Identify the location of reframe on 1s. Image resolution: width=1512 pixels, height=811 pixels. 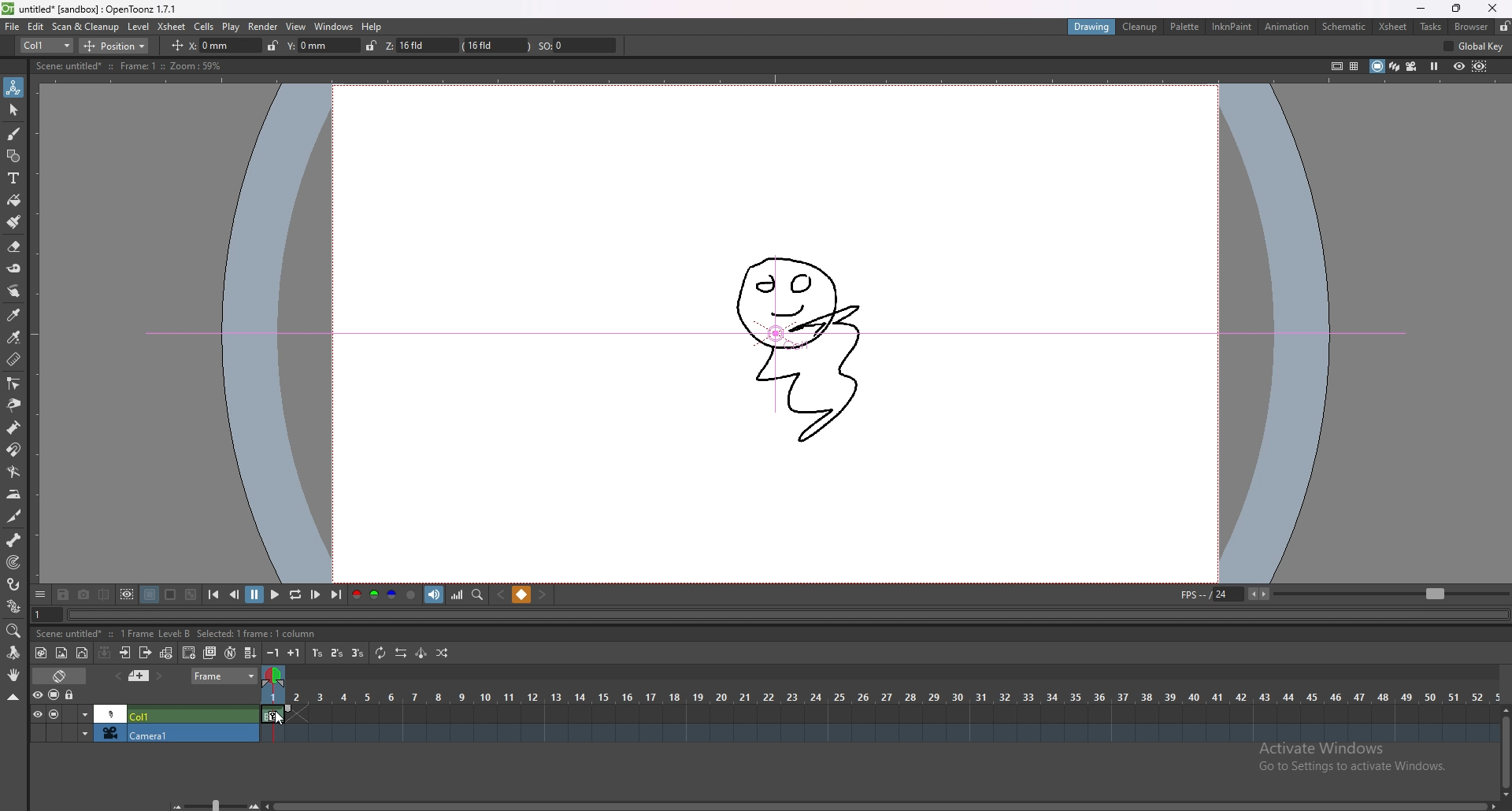
(317, 654).